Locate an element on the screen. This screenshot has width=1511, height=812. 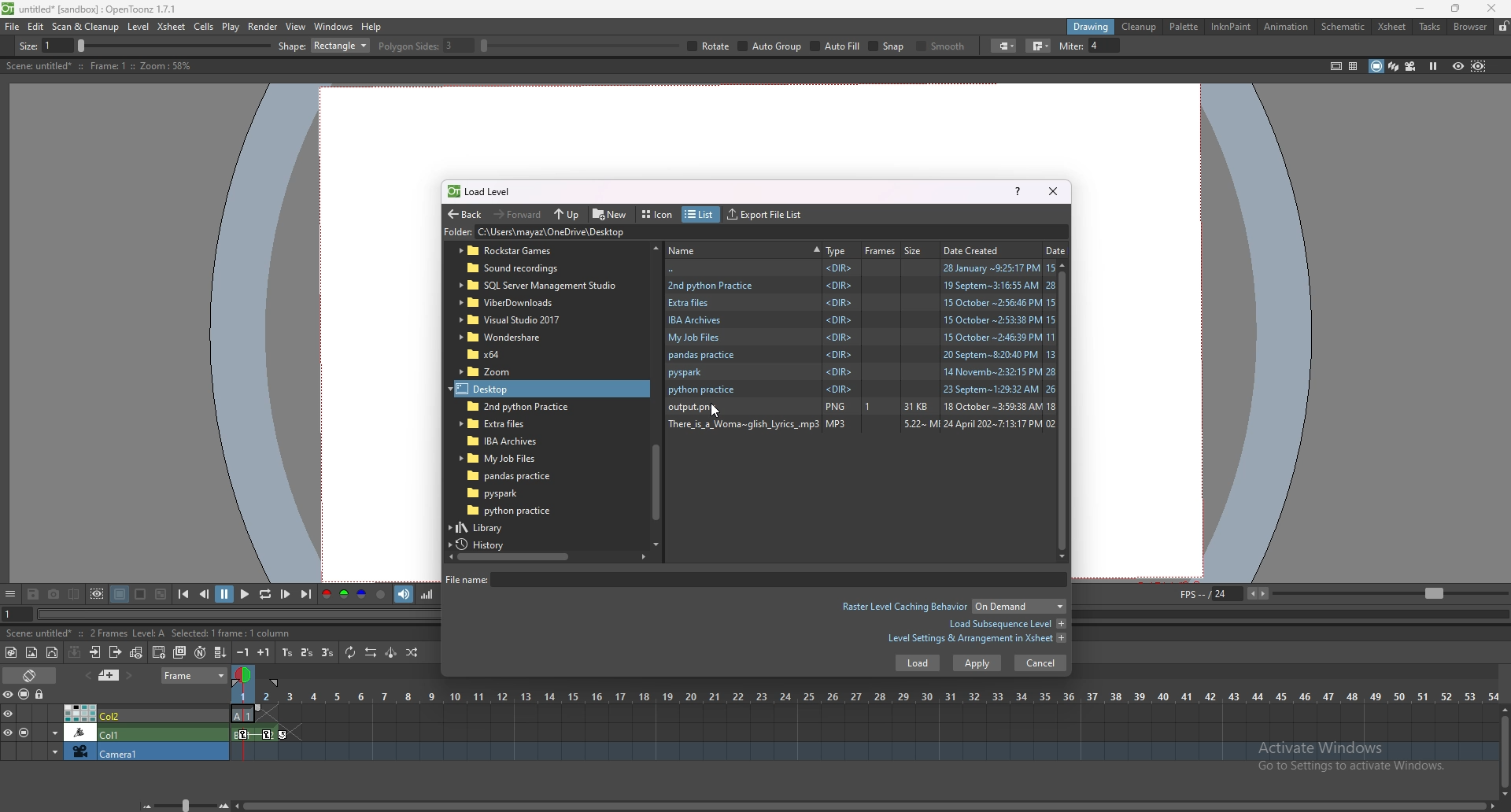
swing is located at coordinates (391, 652).